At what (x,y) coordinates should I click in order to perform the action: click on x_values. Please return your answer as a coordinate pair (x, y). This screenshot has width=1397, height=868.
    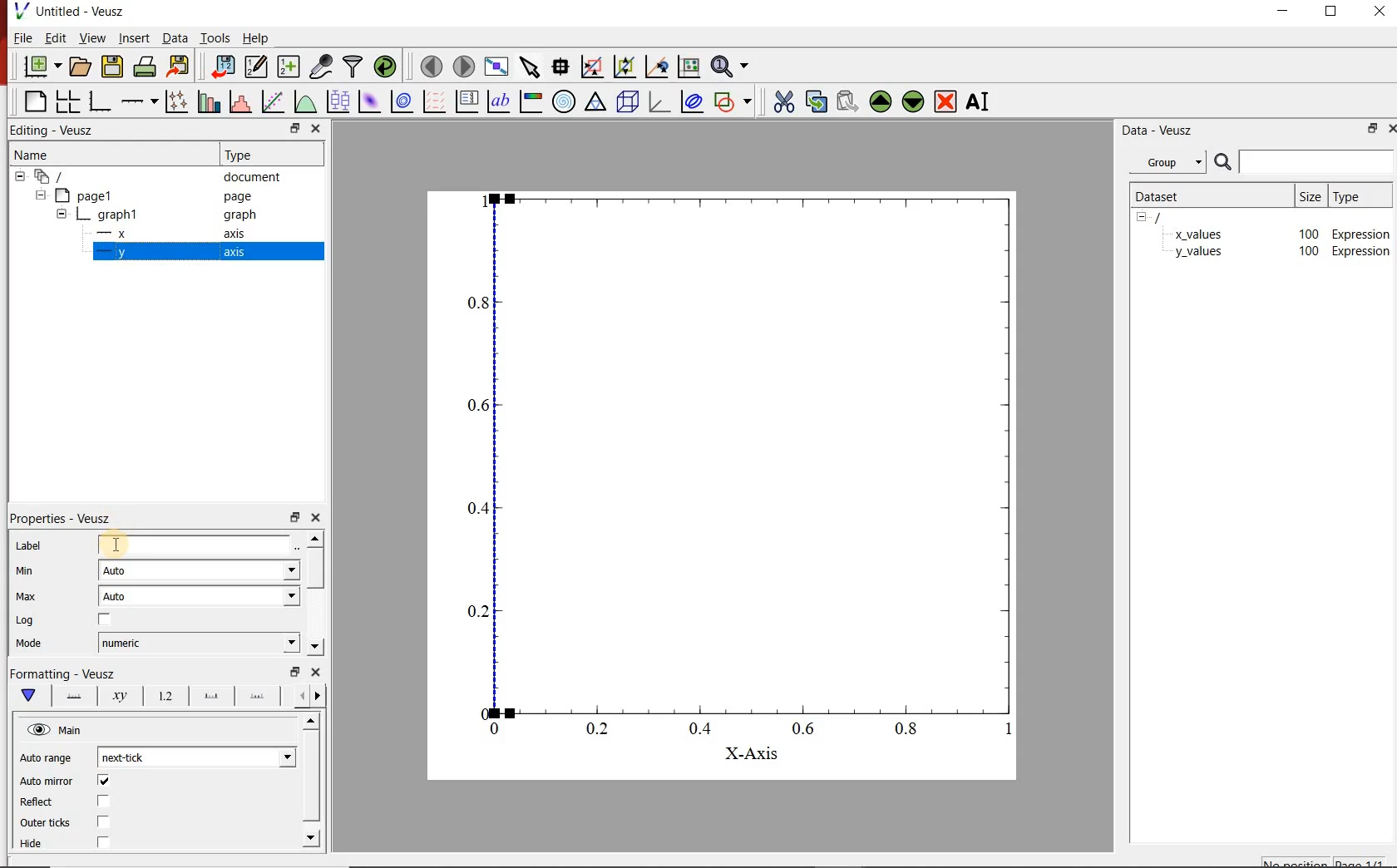
    Looking at the image, I should click on (1198, 233).